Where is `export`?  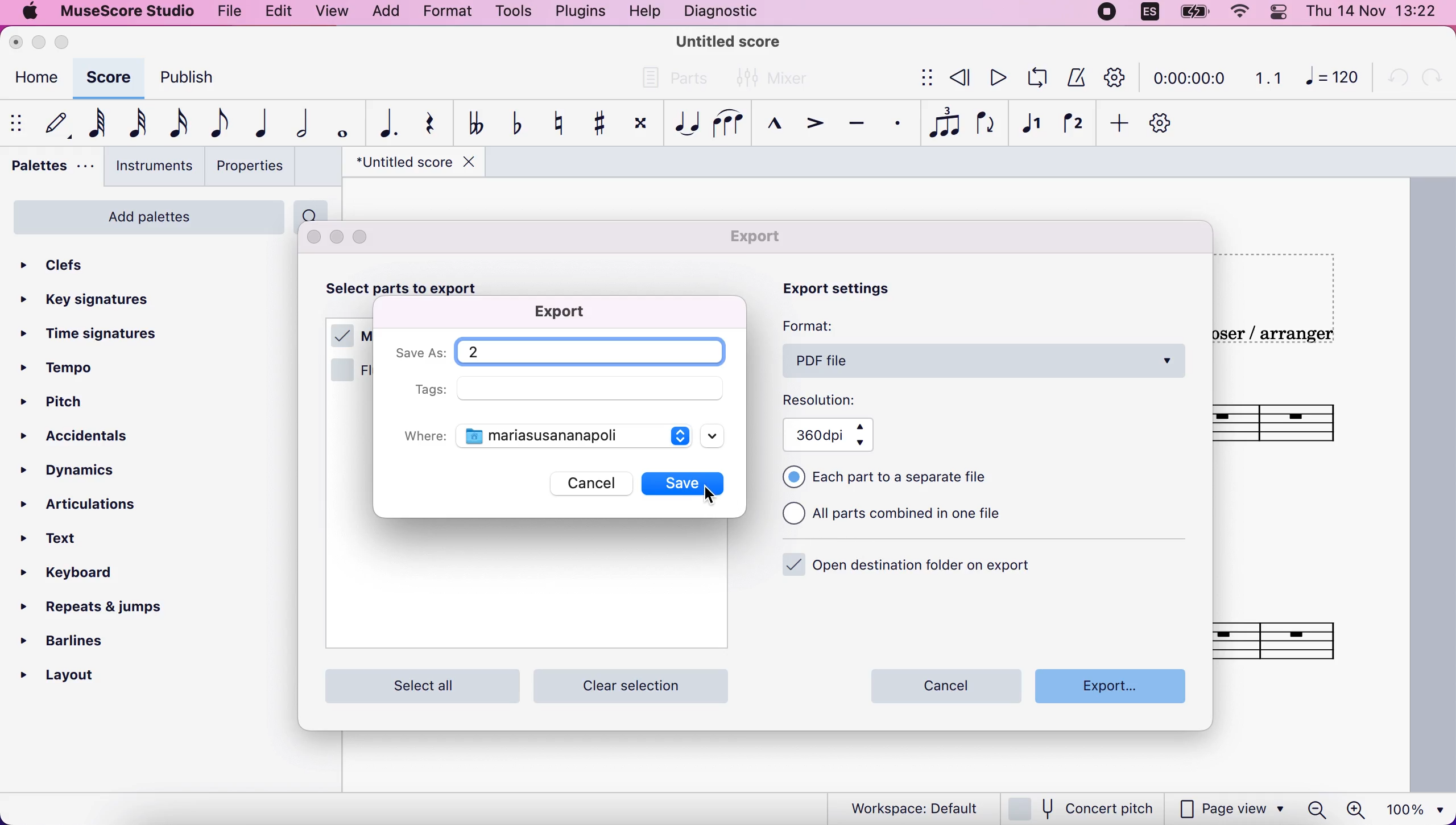 export is located at coordinates (556, 315).